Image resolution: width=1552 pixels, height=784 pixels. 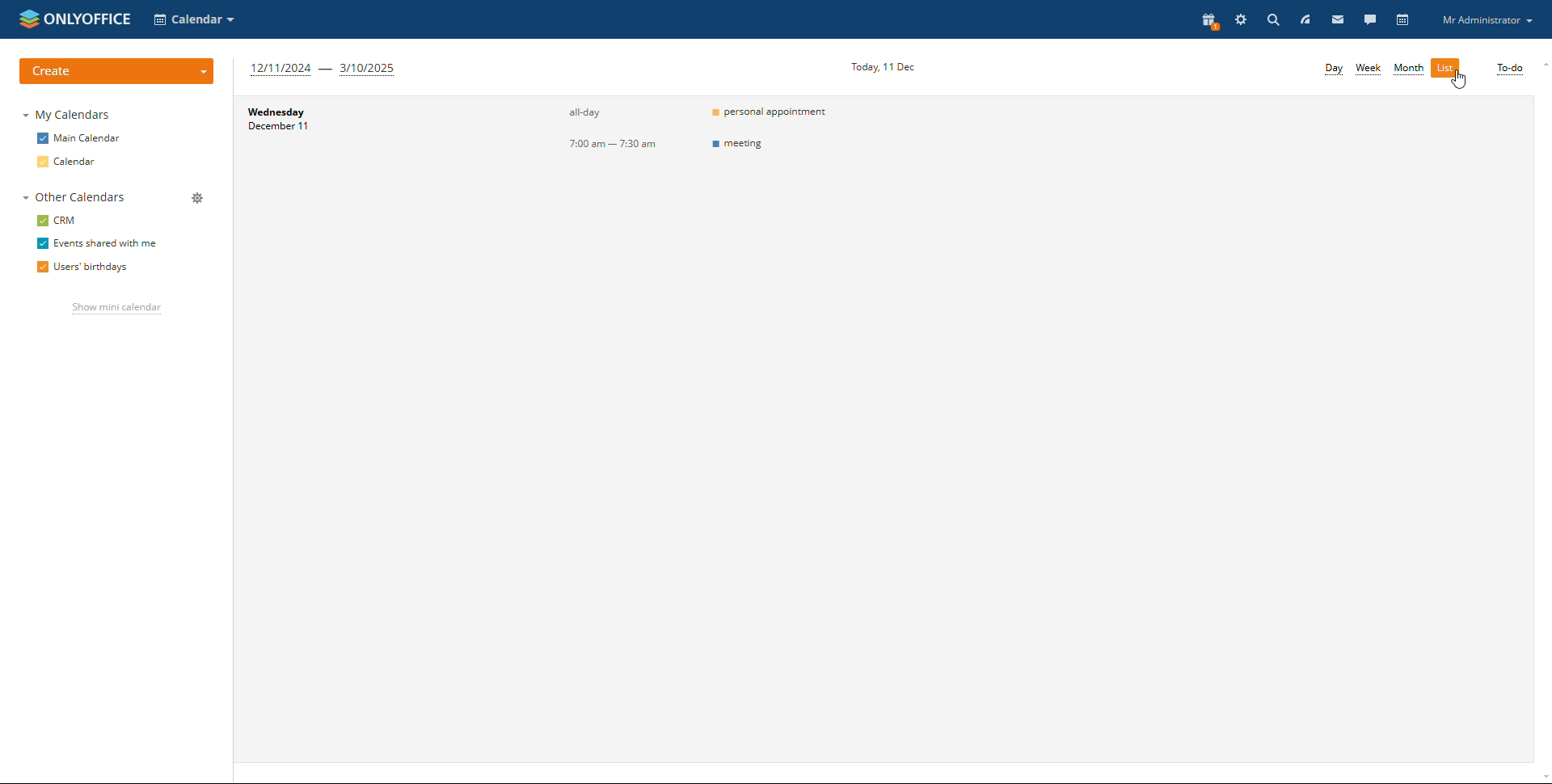 I want to click on cursor, so click(x=1459, y=80).